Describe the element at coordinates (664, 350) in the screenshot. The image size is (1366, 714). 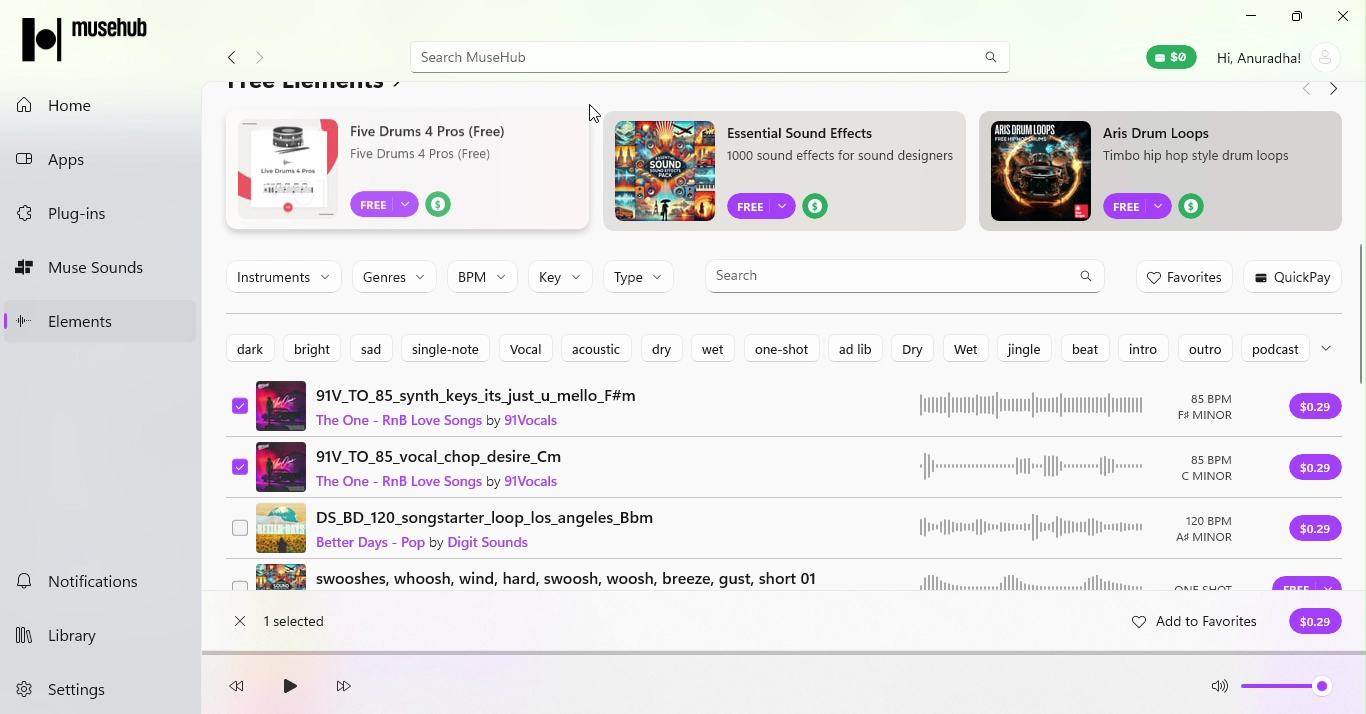
I see `dry` at that location.